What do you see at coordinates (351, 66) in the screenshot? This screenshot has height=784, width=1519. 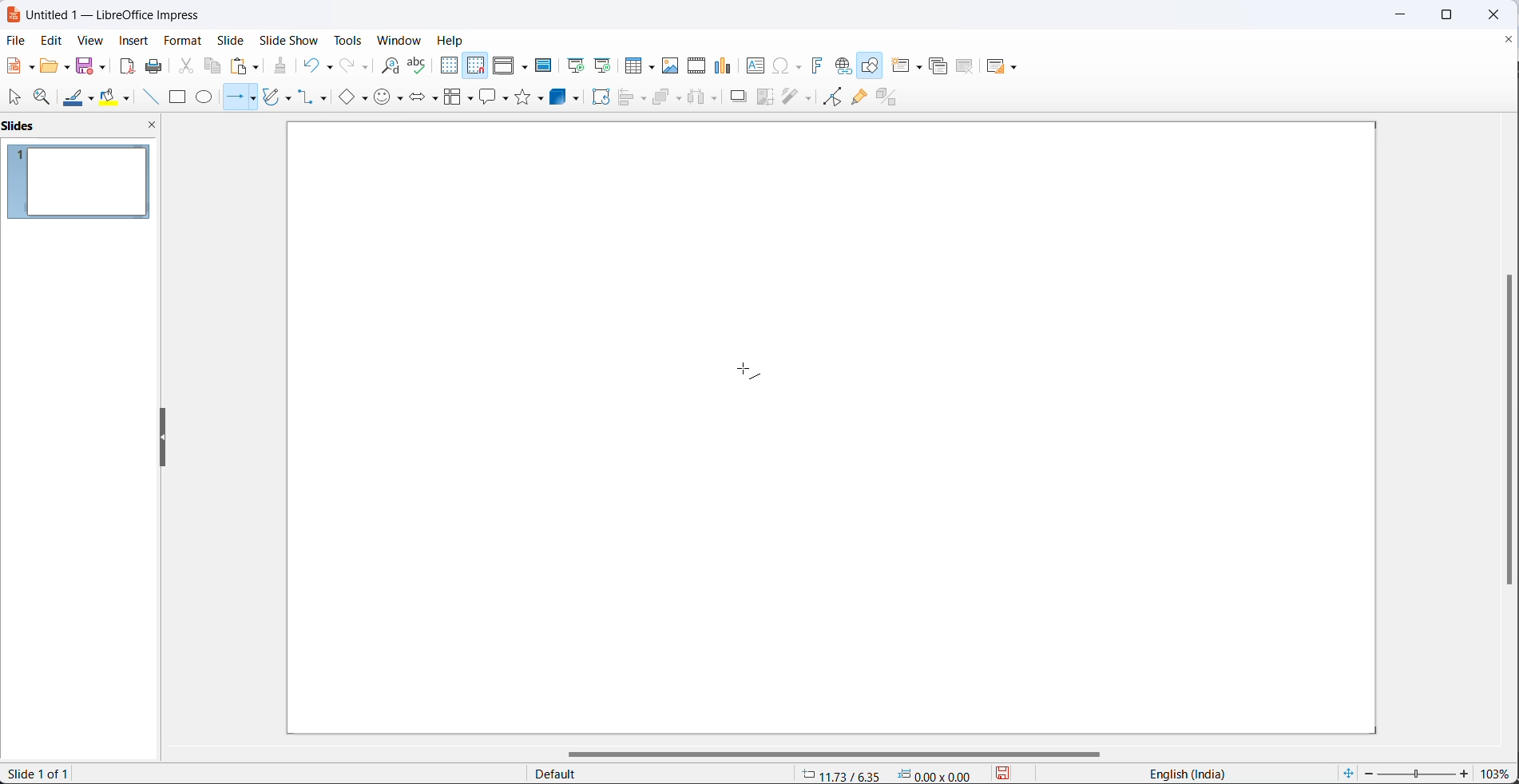 I see `redo` at bounding box center [351, 66].